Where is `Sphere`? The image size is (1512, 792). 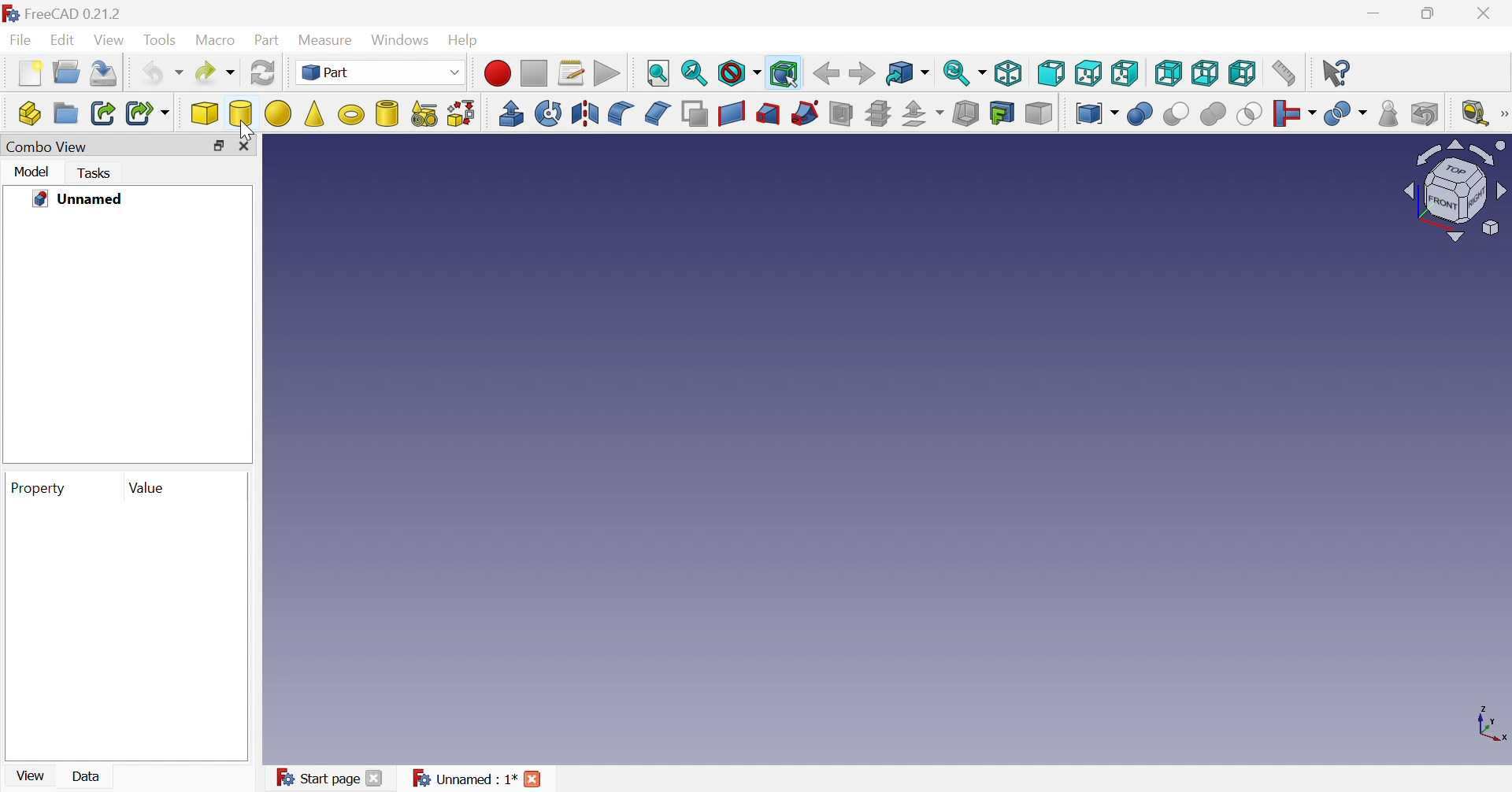
Sphere is located at coordinates (278, 113).